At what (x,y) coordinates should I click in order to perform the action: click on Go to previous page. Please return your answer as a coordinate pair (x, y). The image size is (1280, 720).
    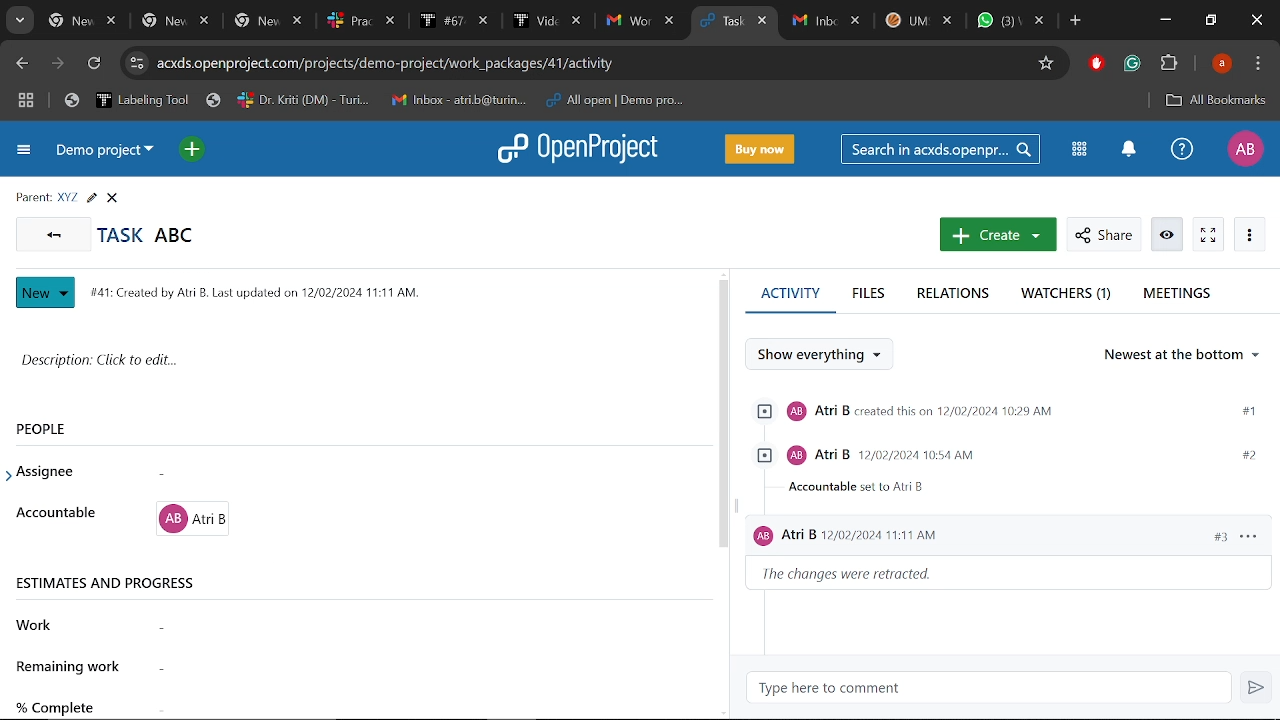
    Looking at the image, I should click on (52, 233).